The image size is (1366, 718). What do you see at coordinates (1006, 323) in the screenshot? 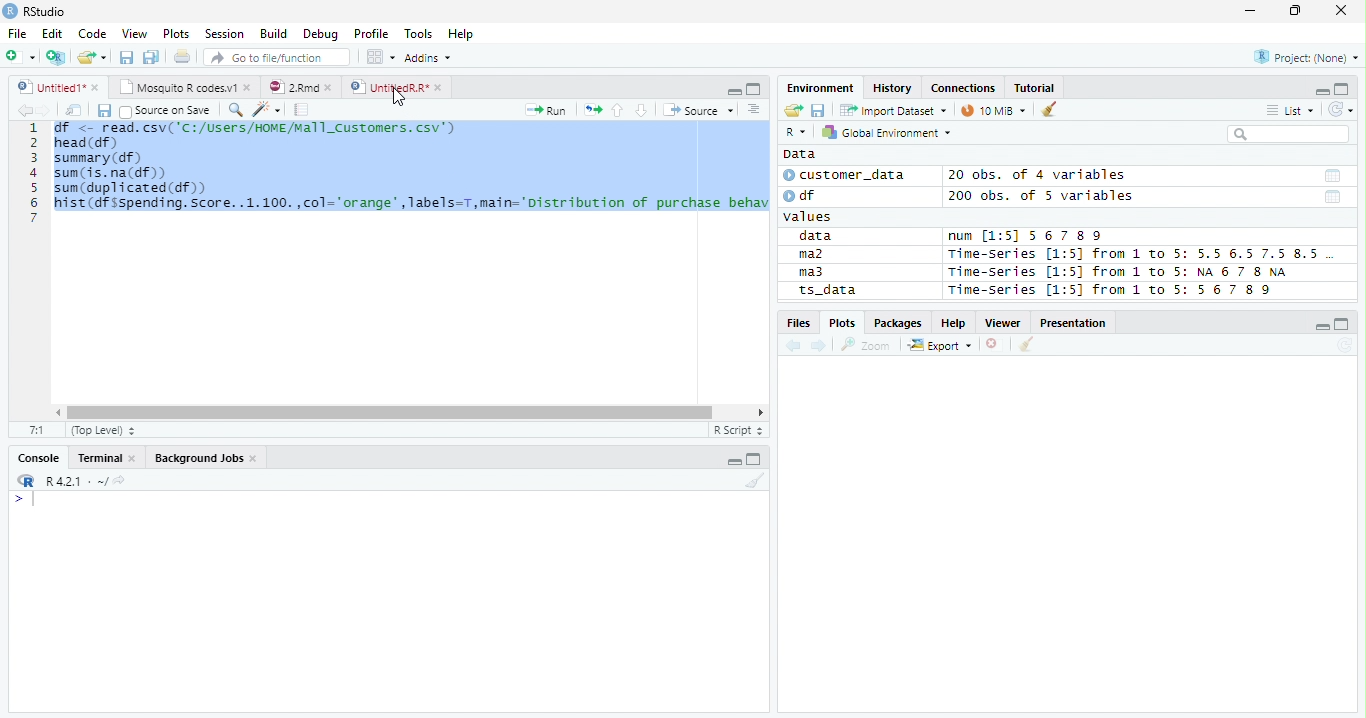
I see `Viewer` at bounding box center [1006, 323].